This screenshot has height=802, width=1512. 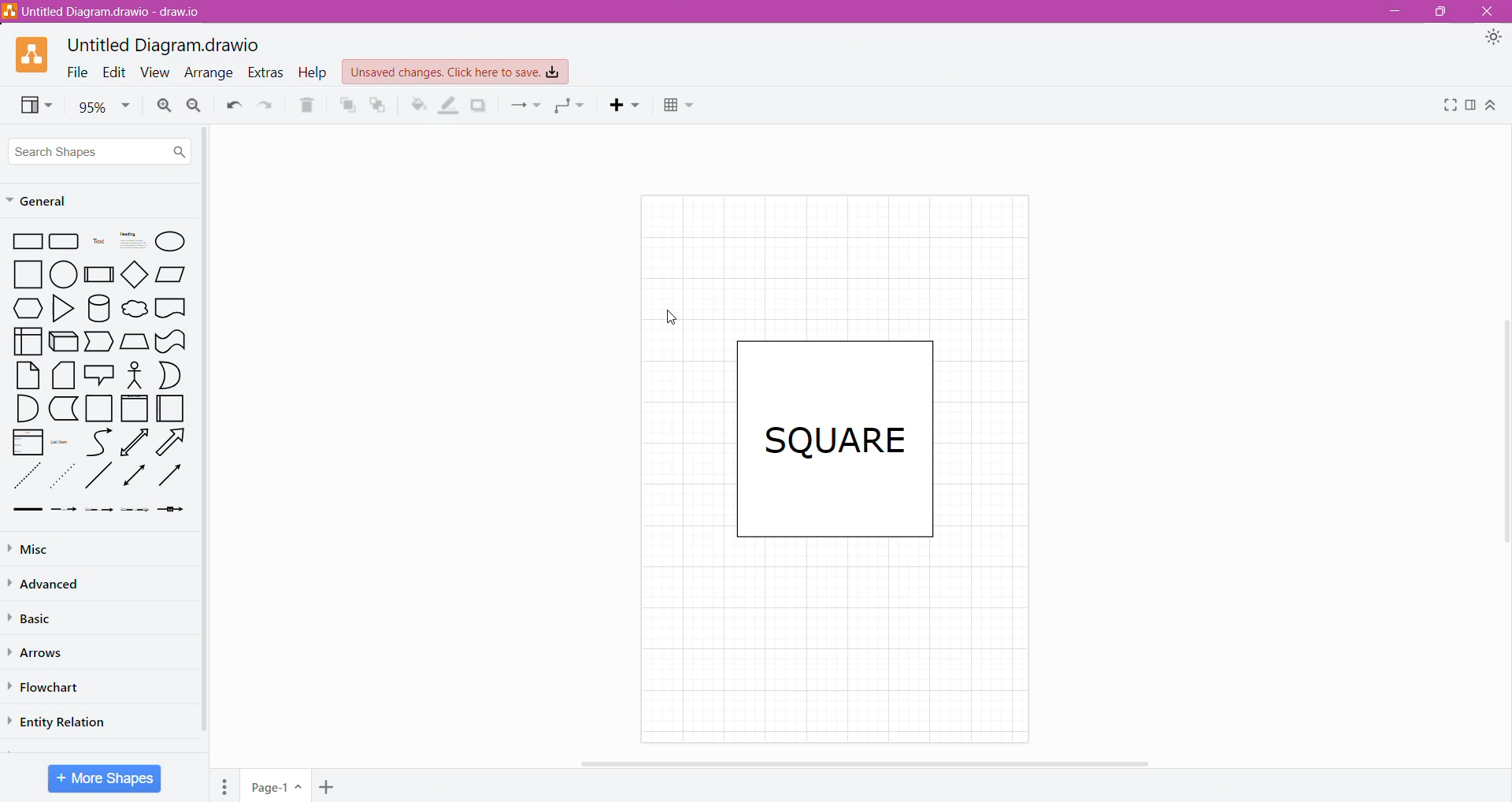 What do you see at coordinates (173, 512) in the screenshot?
I see `Arrow with a Box ` at bounding box center [173, 512].